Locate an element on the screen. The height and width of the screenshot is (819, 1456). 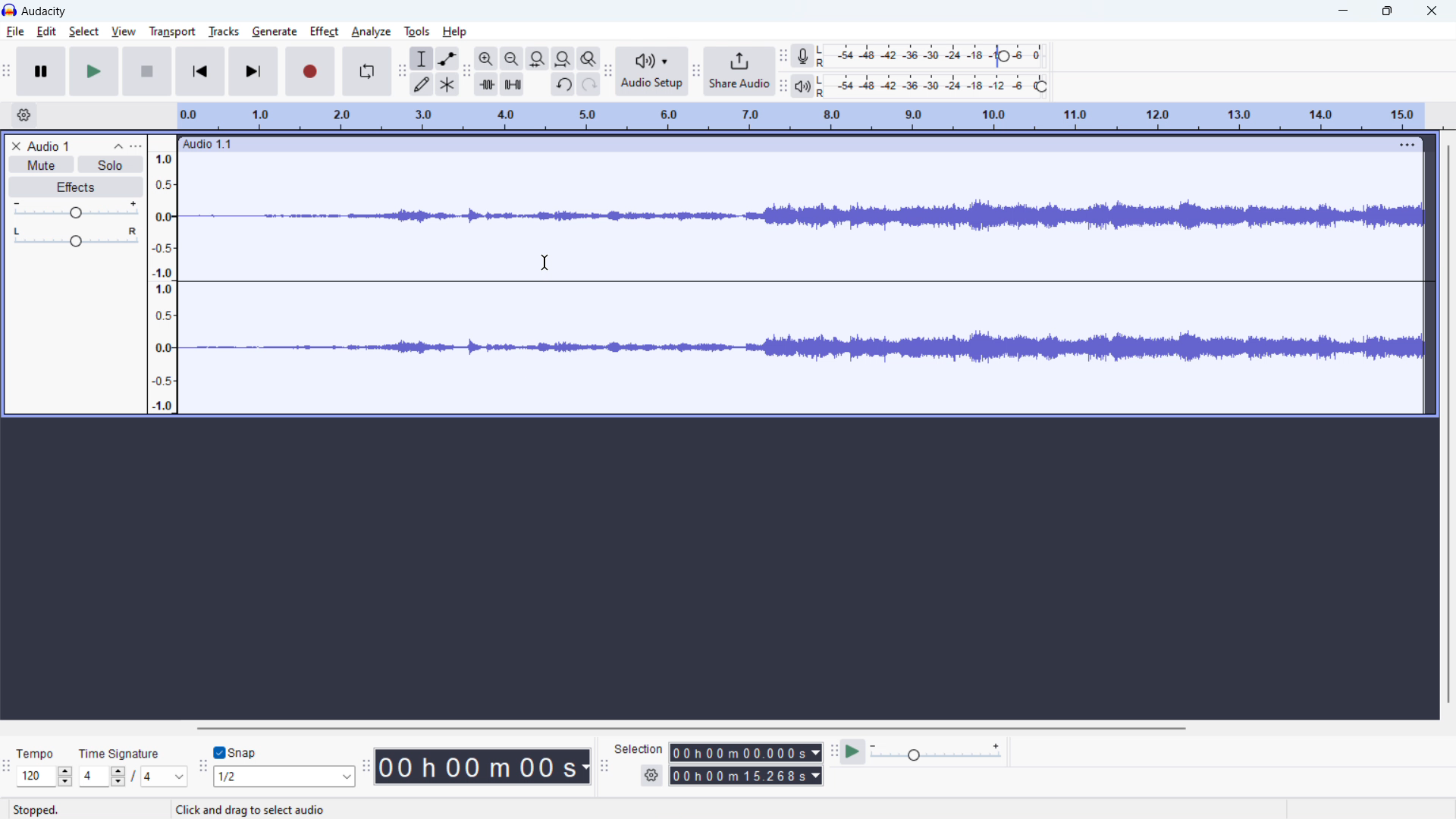
Stopped  is located at coordinates (39, 810).